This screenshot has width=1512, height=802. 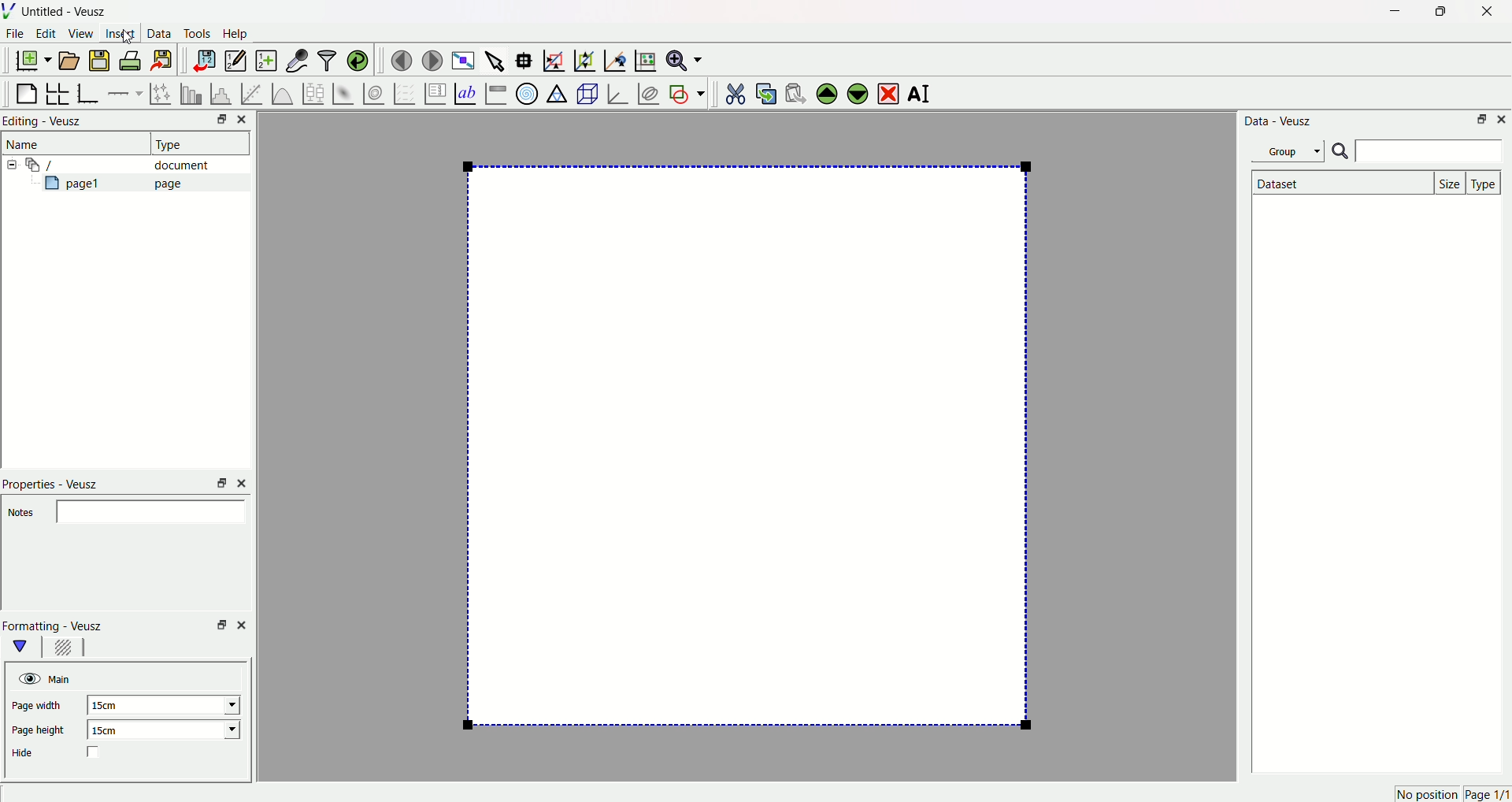 What do you see at coordinates (244, 482) in the screenshot?
I see `close` at bounding box center [244, 482].